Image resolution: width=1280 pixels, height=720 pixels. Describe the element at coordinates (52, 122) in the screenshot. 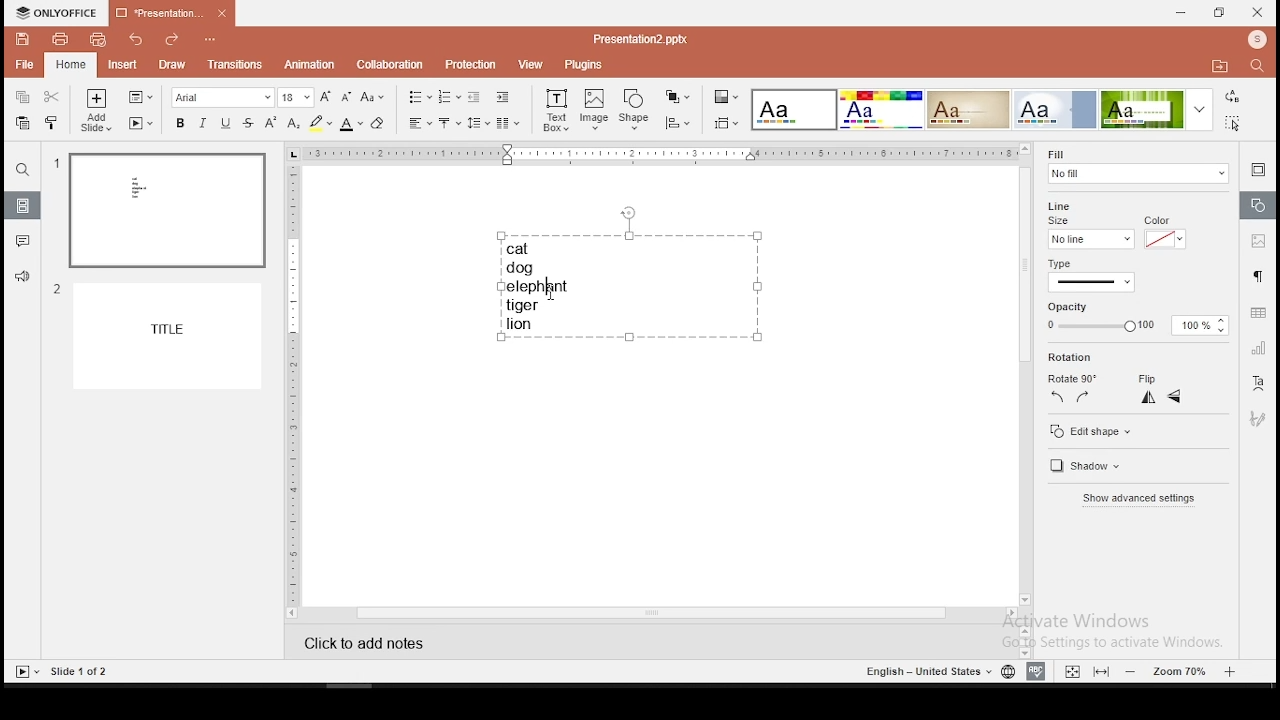

I see `clone formatting` at that location.